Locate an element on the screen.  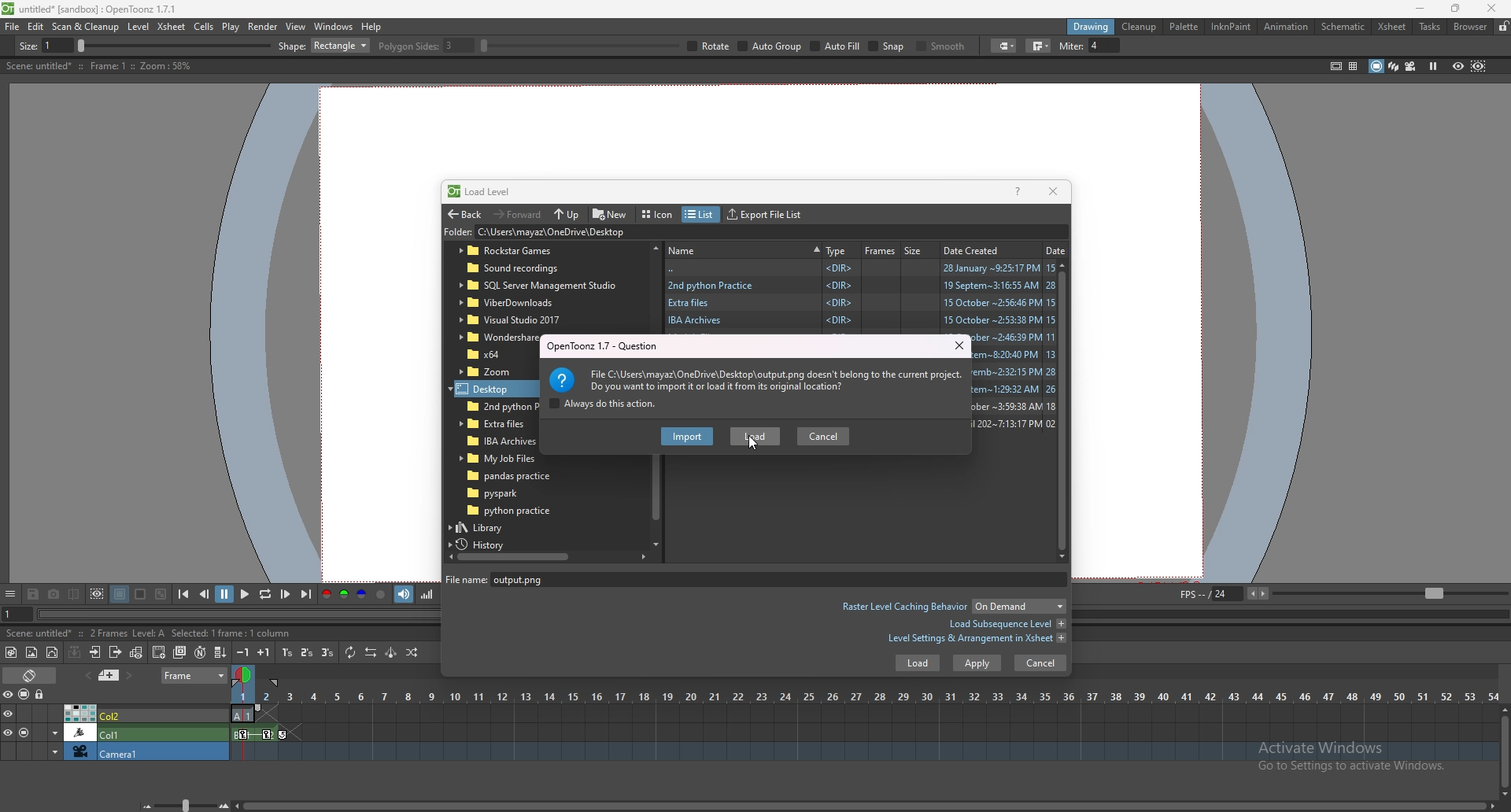
animation is located at coordinates (1287, 27).